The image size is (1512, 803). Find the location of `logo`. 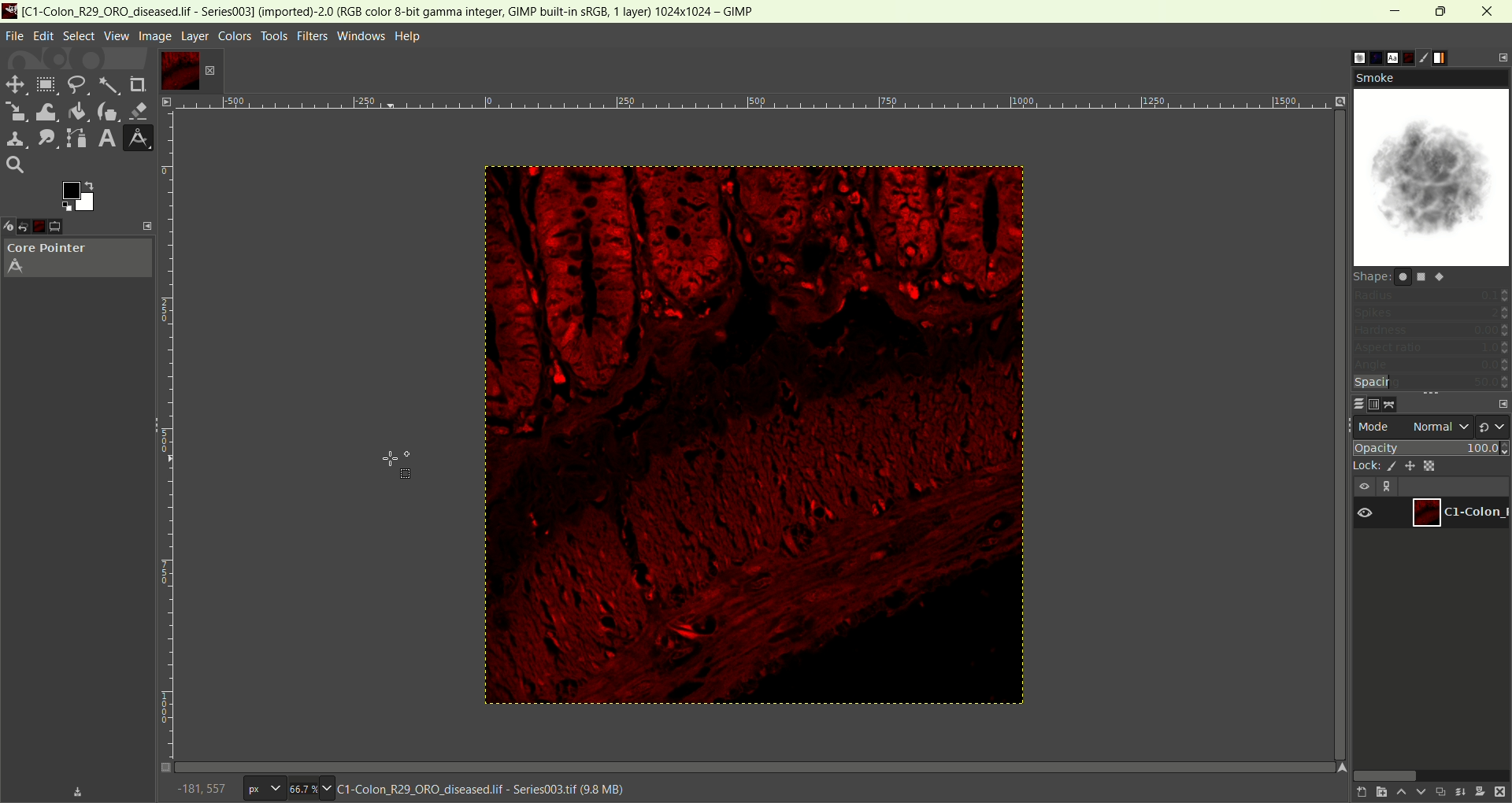

logo is located at coordinates (10, 10).